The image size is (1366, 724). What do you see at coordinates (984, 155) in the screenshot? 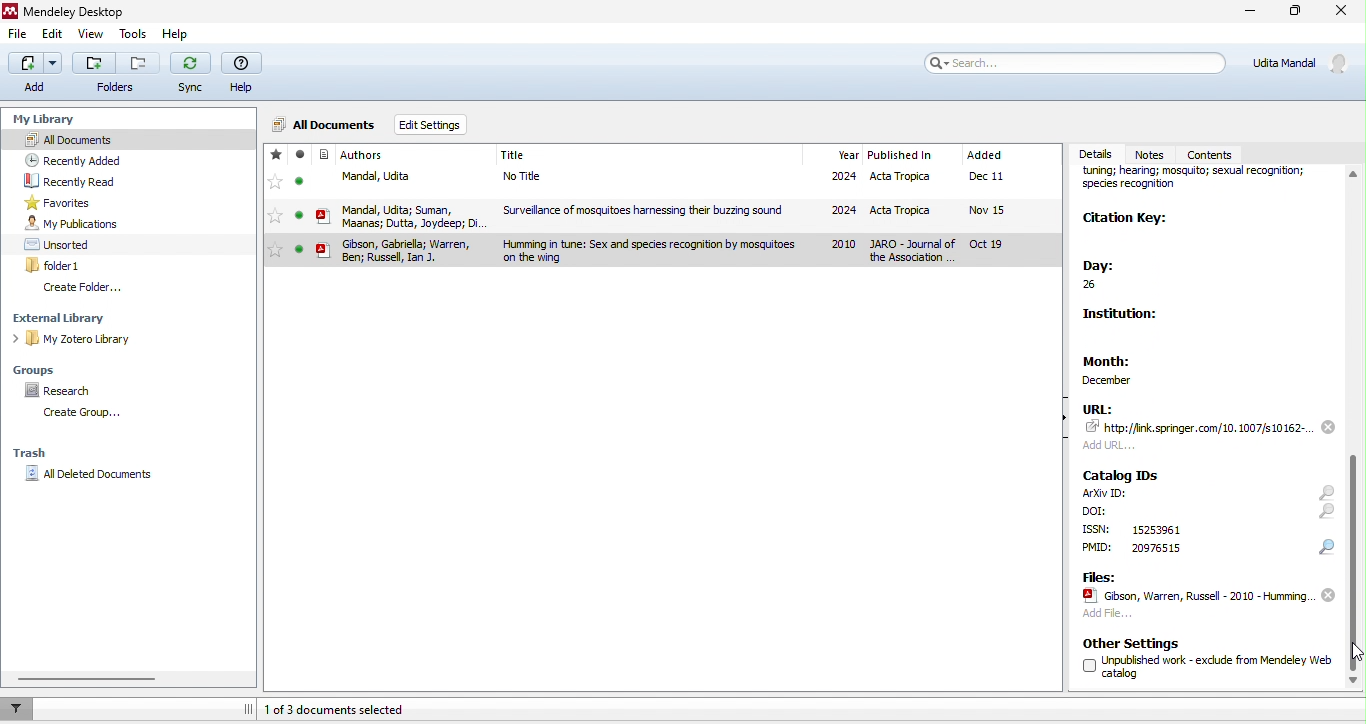
I see `added month` at bounding box center [984, 155].